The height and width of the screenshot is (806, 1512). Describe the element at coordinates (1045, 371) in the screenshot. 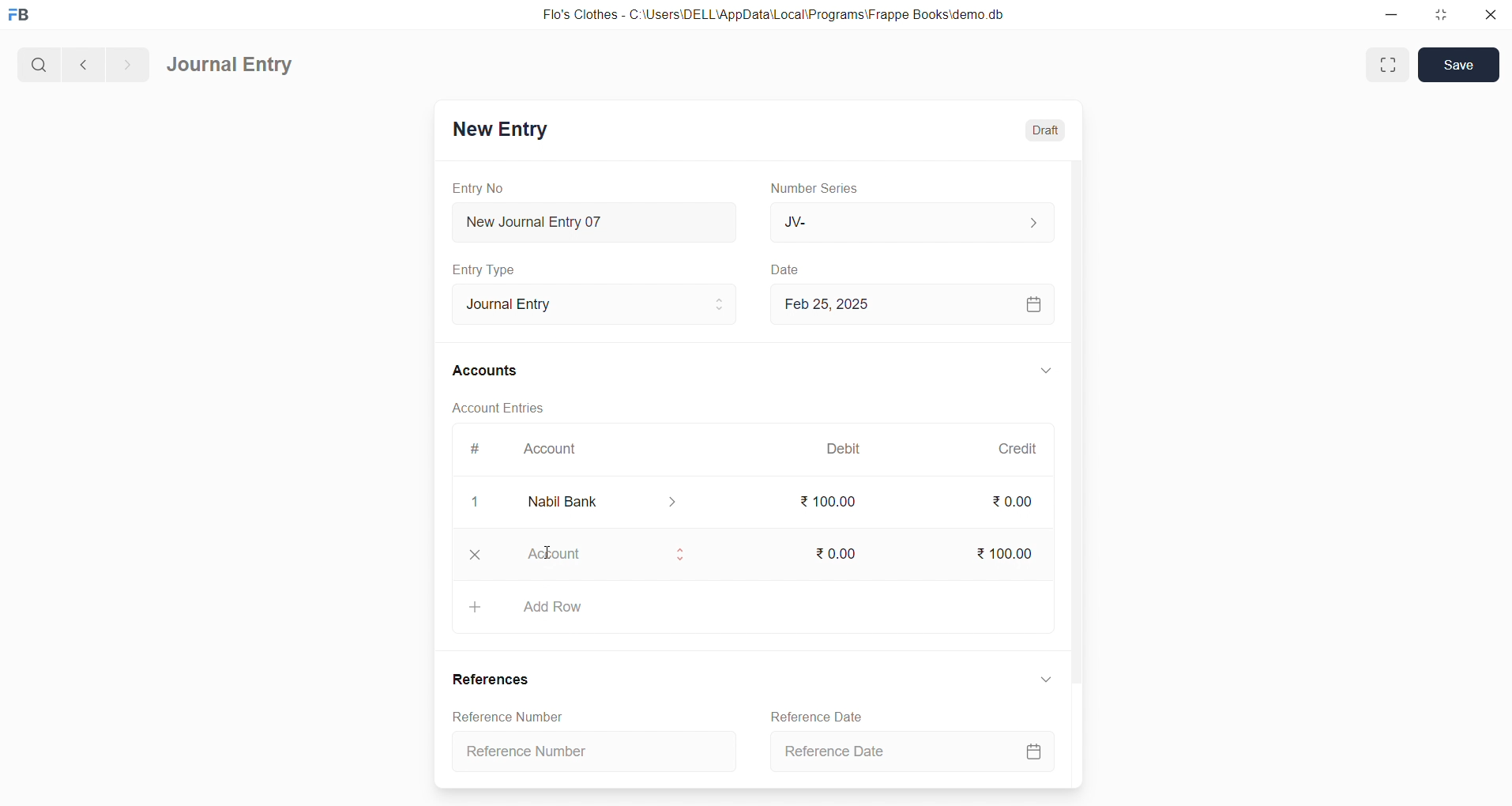

I see `expand/collapse` at that location.